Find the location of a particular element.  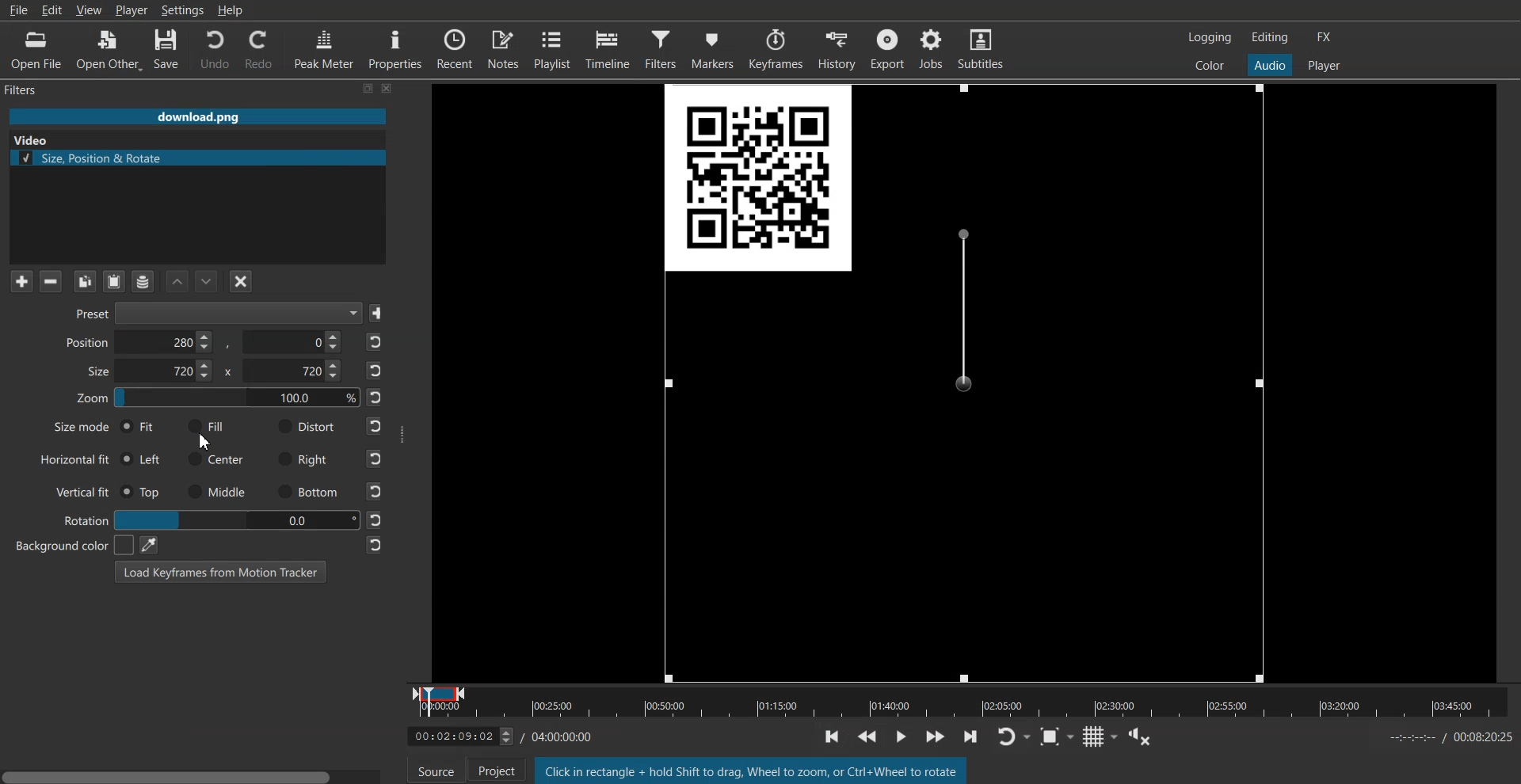

Middle is located at coordinates (218, 491).